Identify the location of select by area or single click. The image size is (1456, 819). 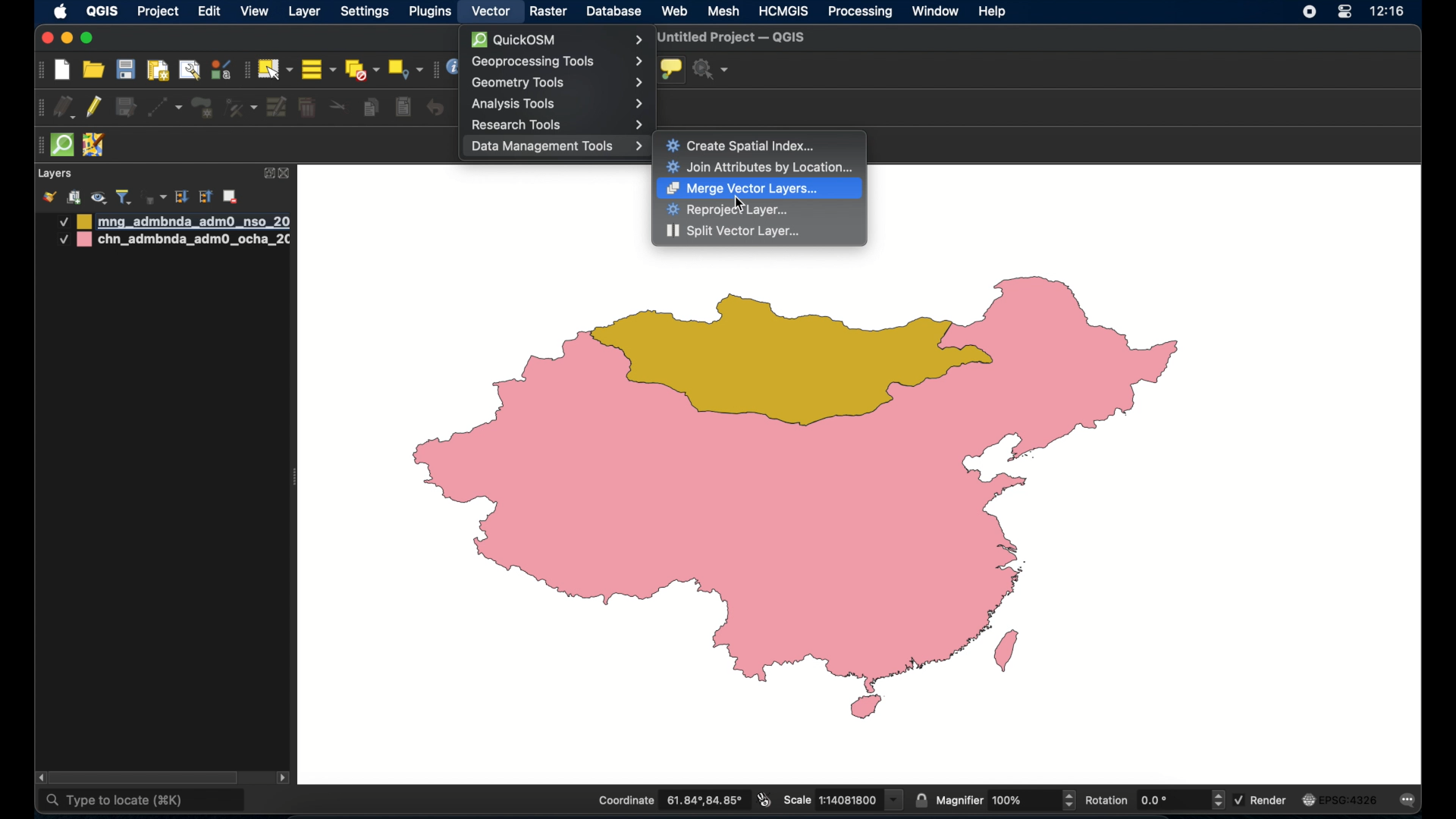
(277, 67).